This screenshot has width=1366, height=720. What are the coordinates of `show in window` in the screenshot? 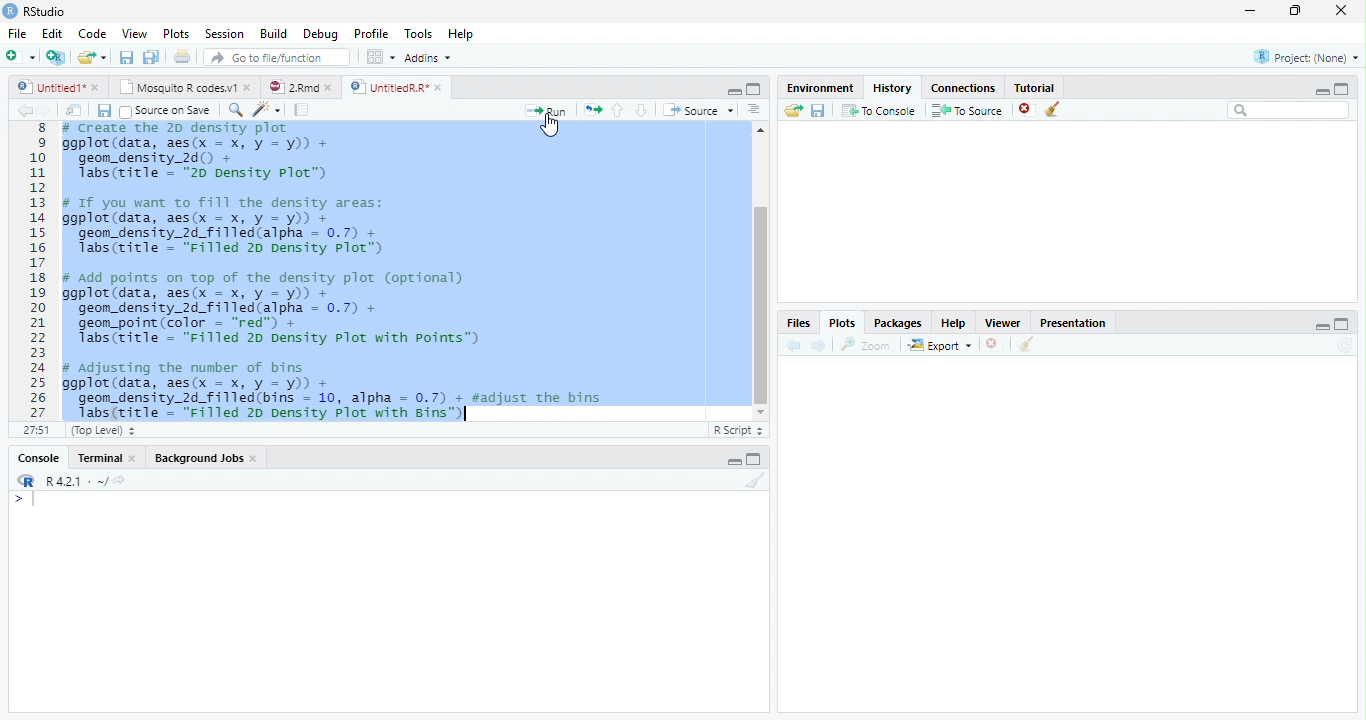 It's located at (75, 111).